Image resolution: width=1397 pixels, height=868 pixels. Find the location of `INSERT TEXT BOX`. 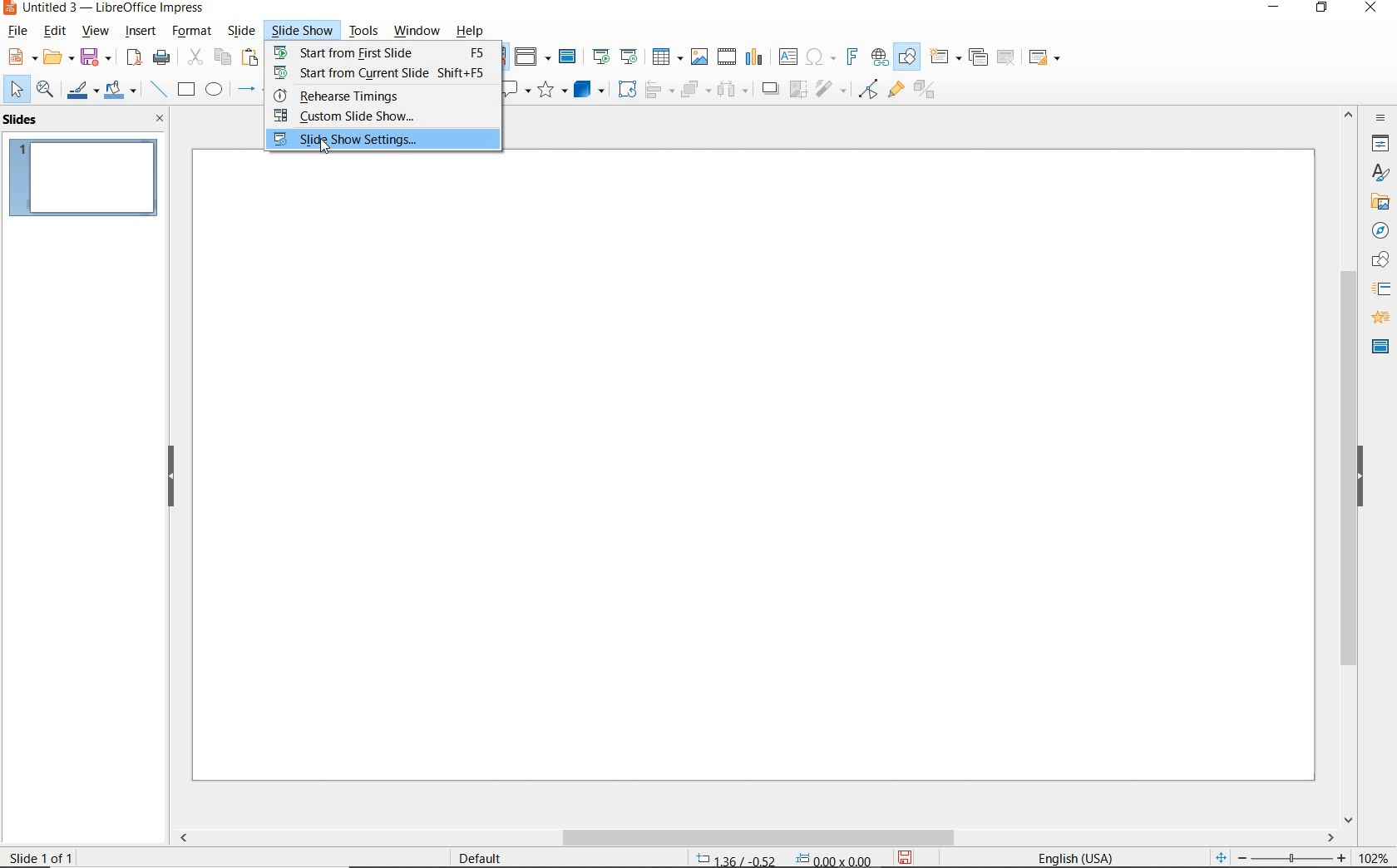

INSERT TEXT BOX is located at coordinates (789, 57).